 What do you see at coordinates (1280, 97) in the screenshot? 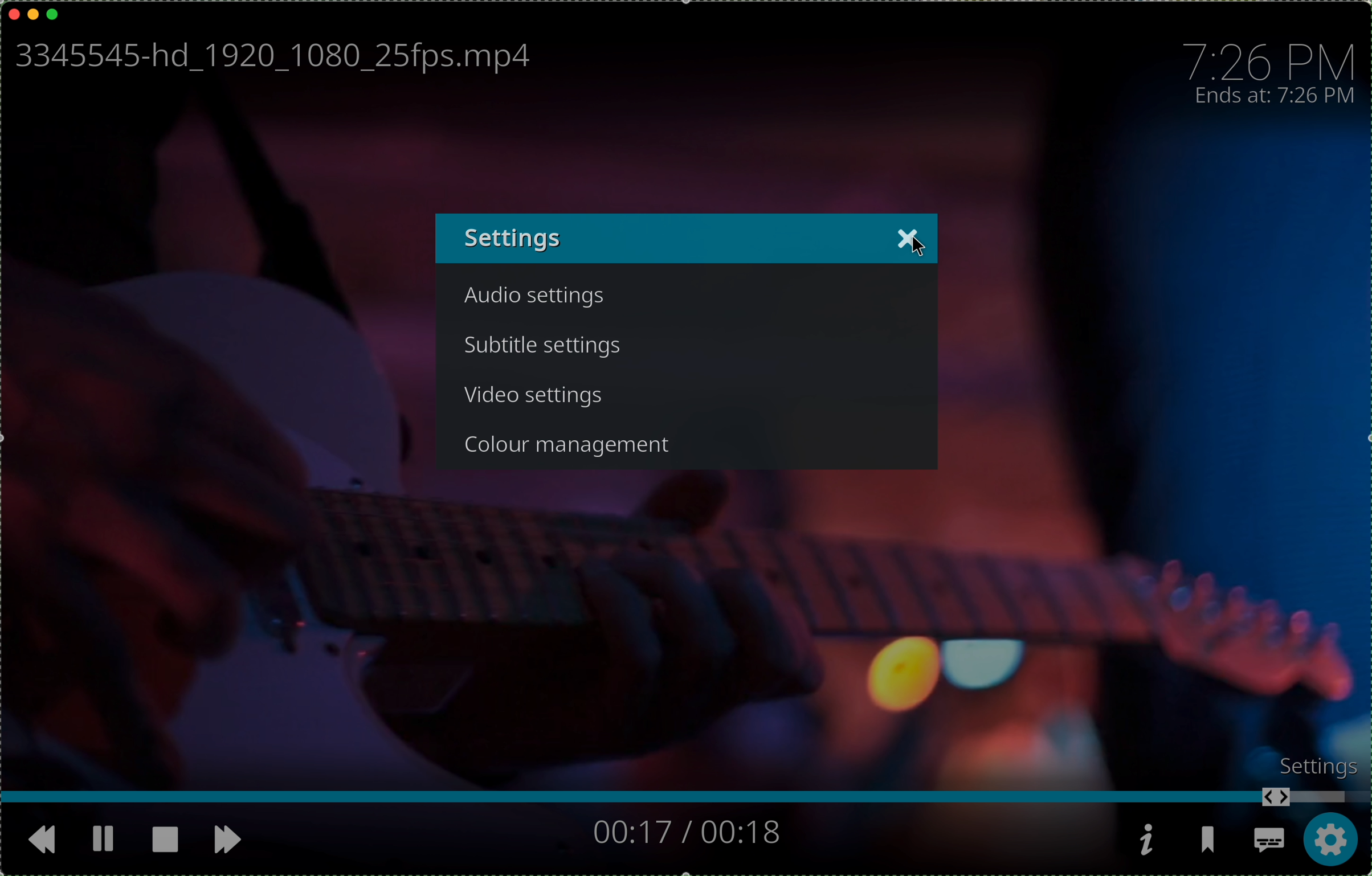
I see `ends at: 7:26 PM` at bounding box center [1280, 97].